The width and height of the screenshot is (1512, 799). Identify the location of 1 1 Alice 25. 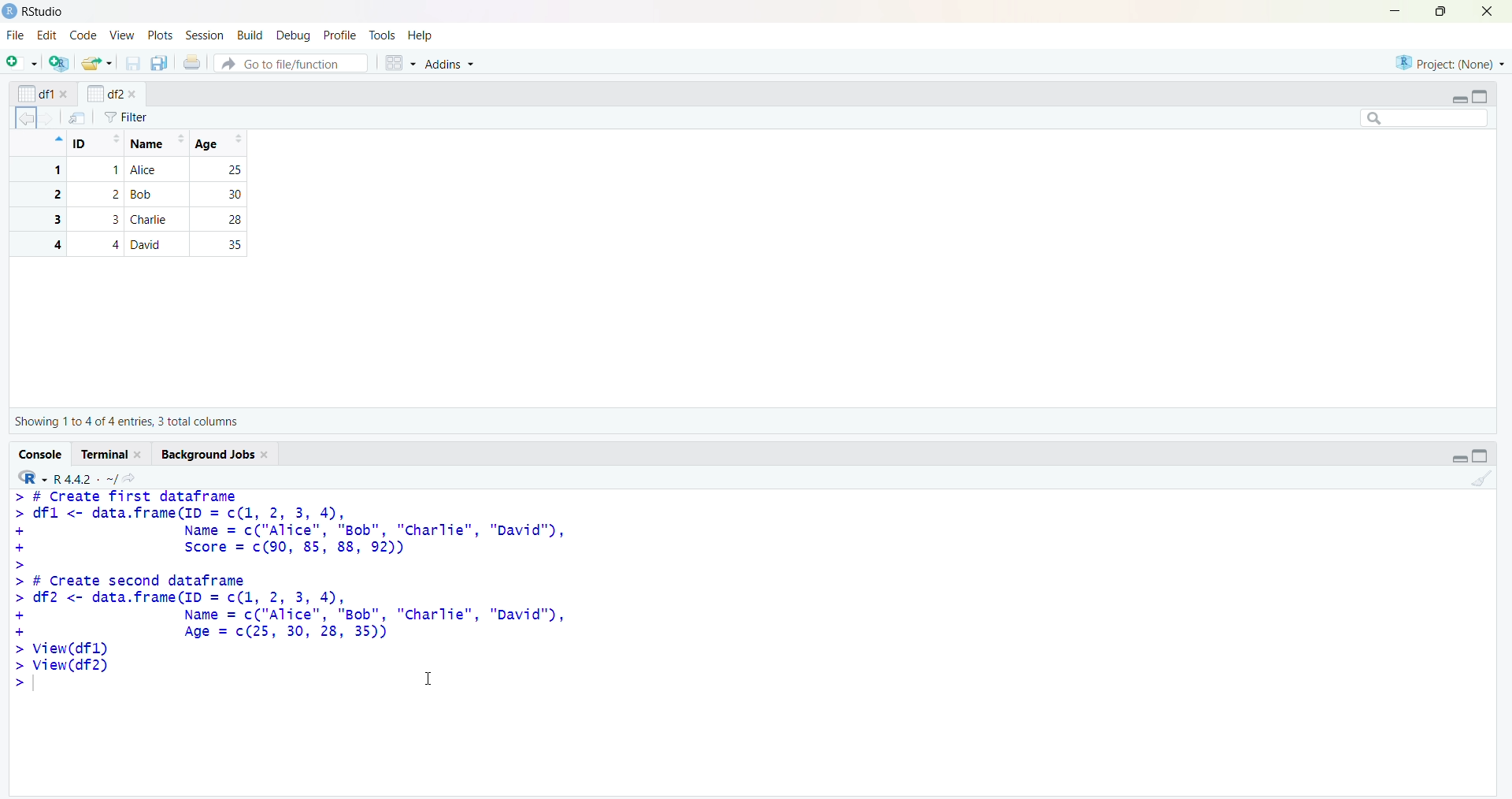
(135, 170).